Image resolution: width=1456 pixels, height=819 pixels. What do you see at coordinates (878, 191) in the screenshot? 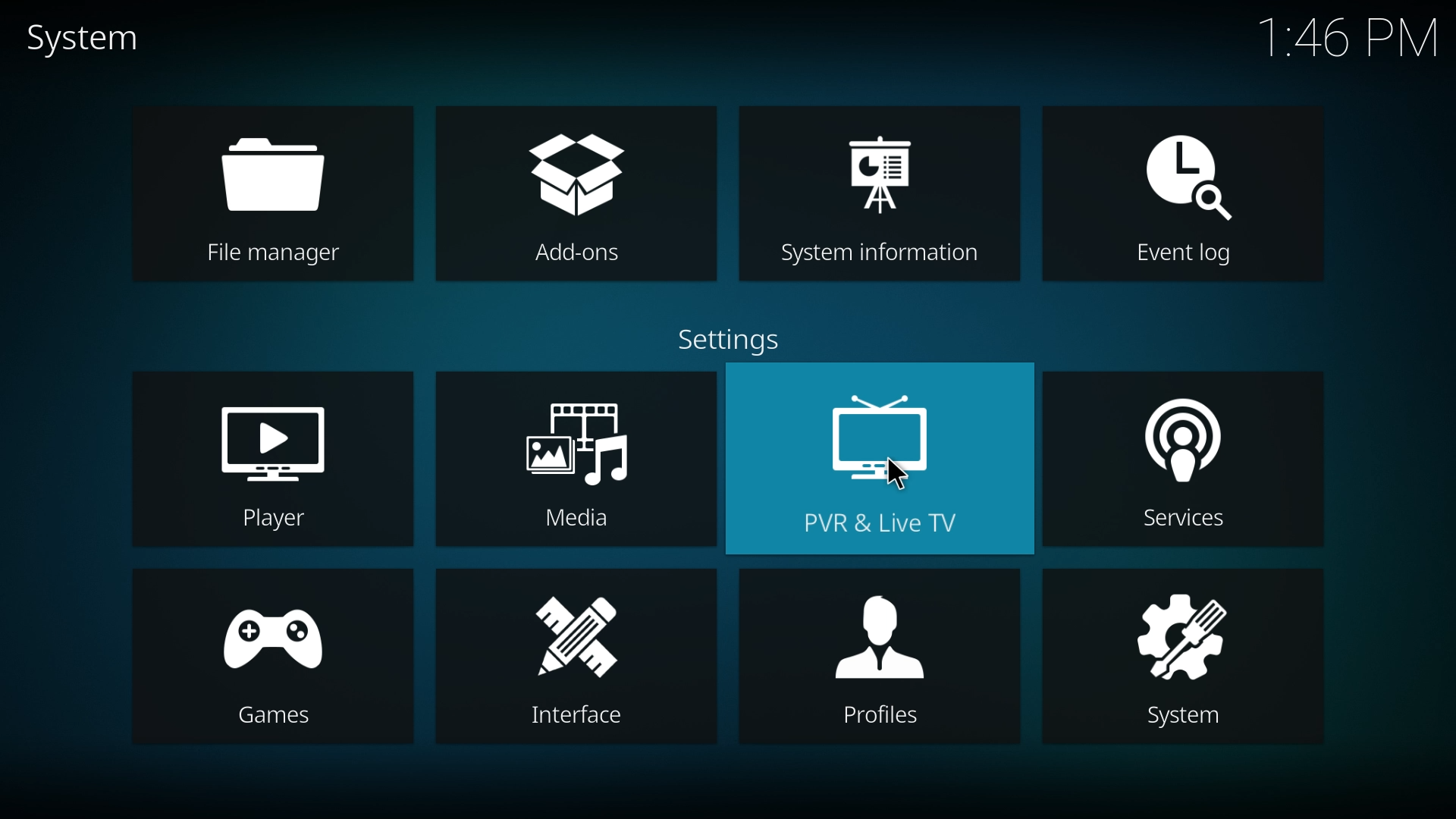
I see `system info` at bounding box center [878, 191].